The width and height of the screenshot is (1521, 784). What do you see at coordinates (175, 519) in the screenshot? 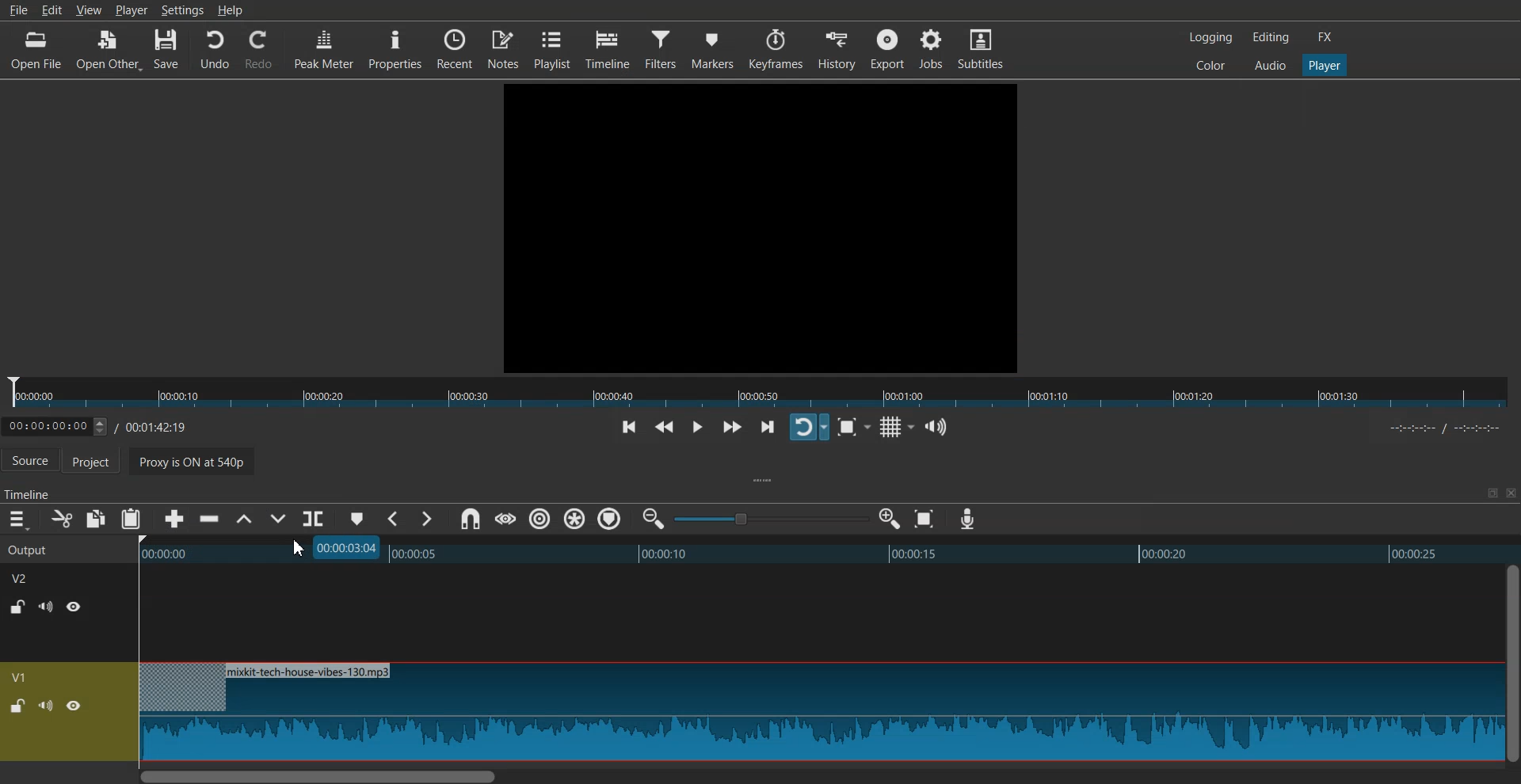
I see `Append ` at bounding box center [175, 519].